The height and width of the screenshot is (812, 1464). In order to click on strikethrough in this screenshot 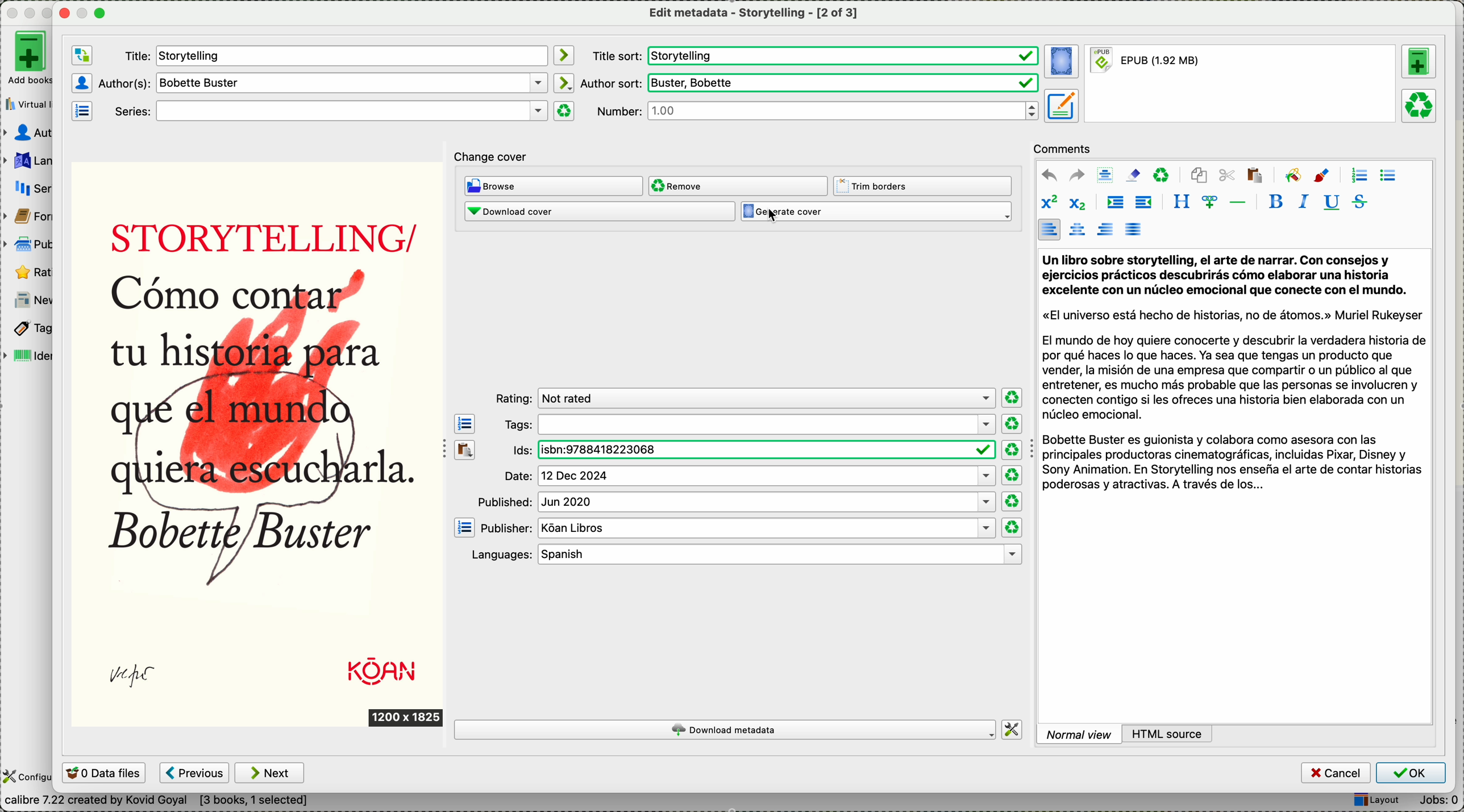, I will do `click(1357, 202)`.